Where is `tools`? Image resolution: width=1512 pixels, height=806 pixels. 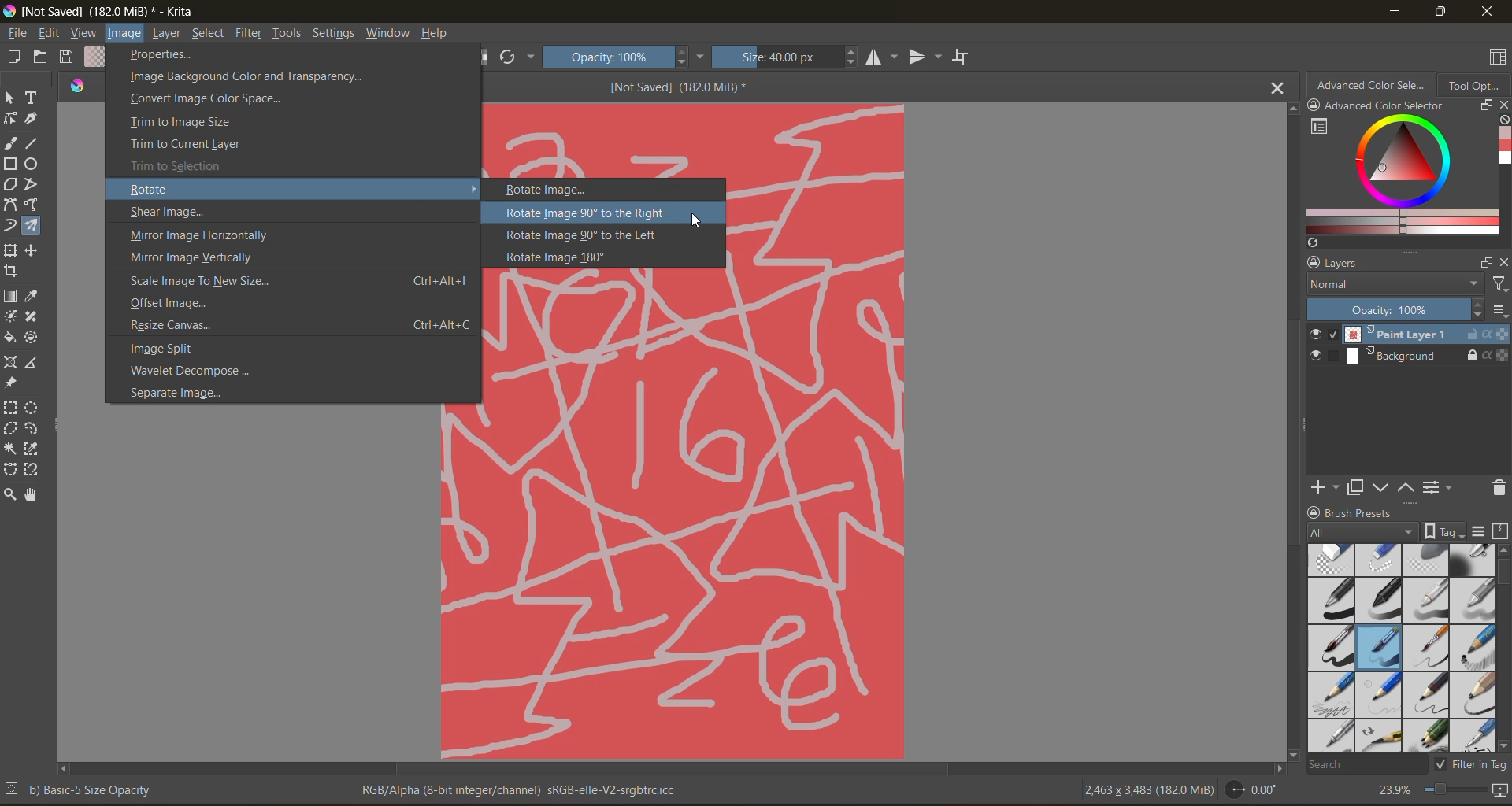 tools is located at coordinates (28, 297).